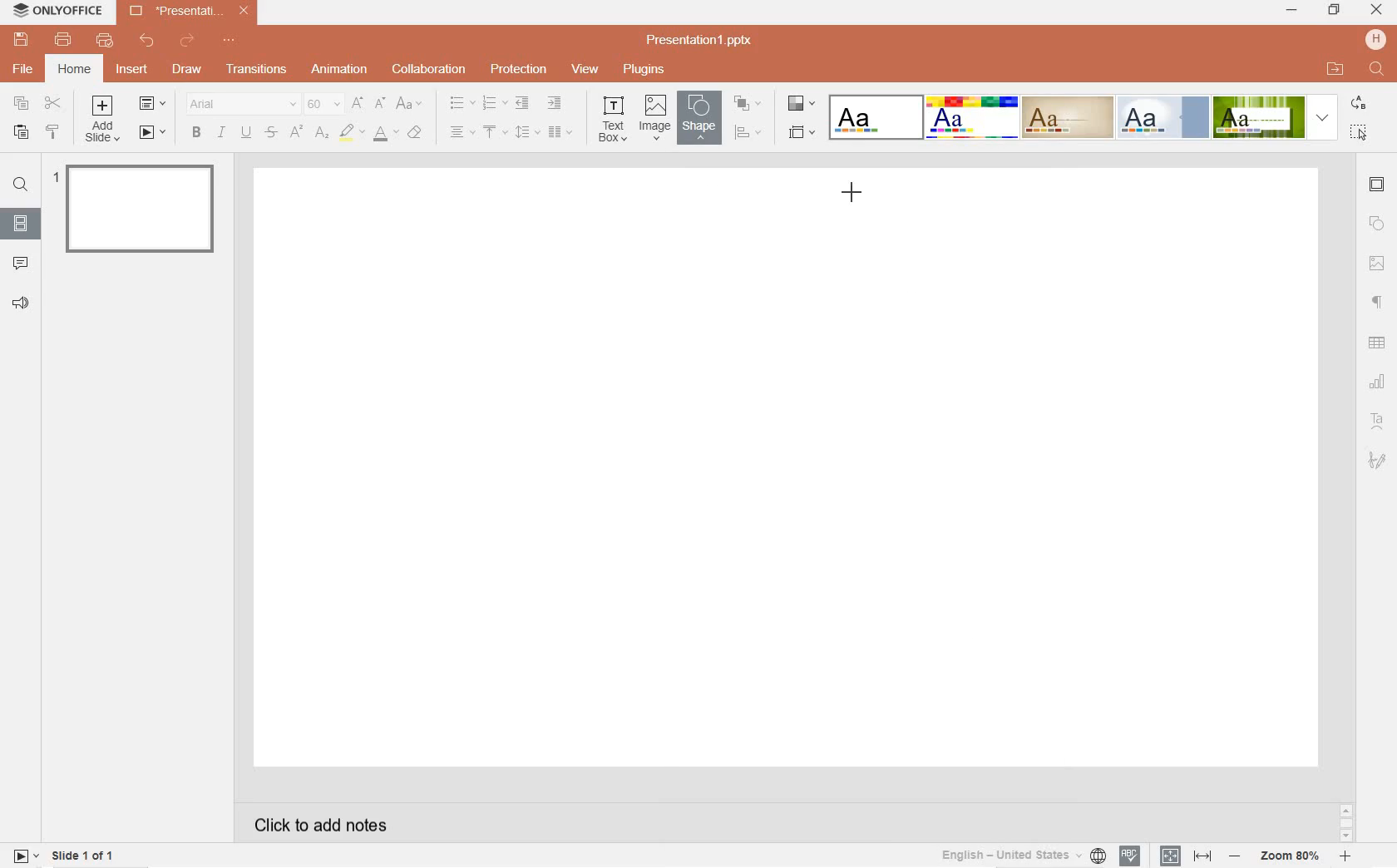  What do you see at coordinates (20, 187) in the screenshot?
I see `find` at bounding box center [20, 187].